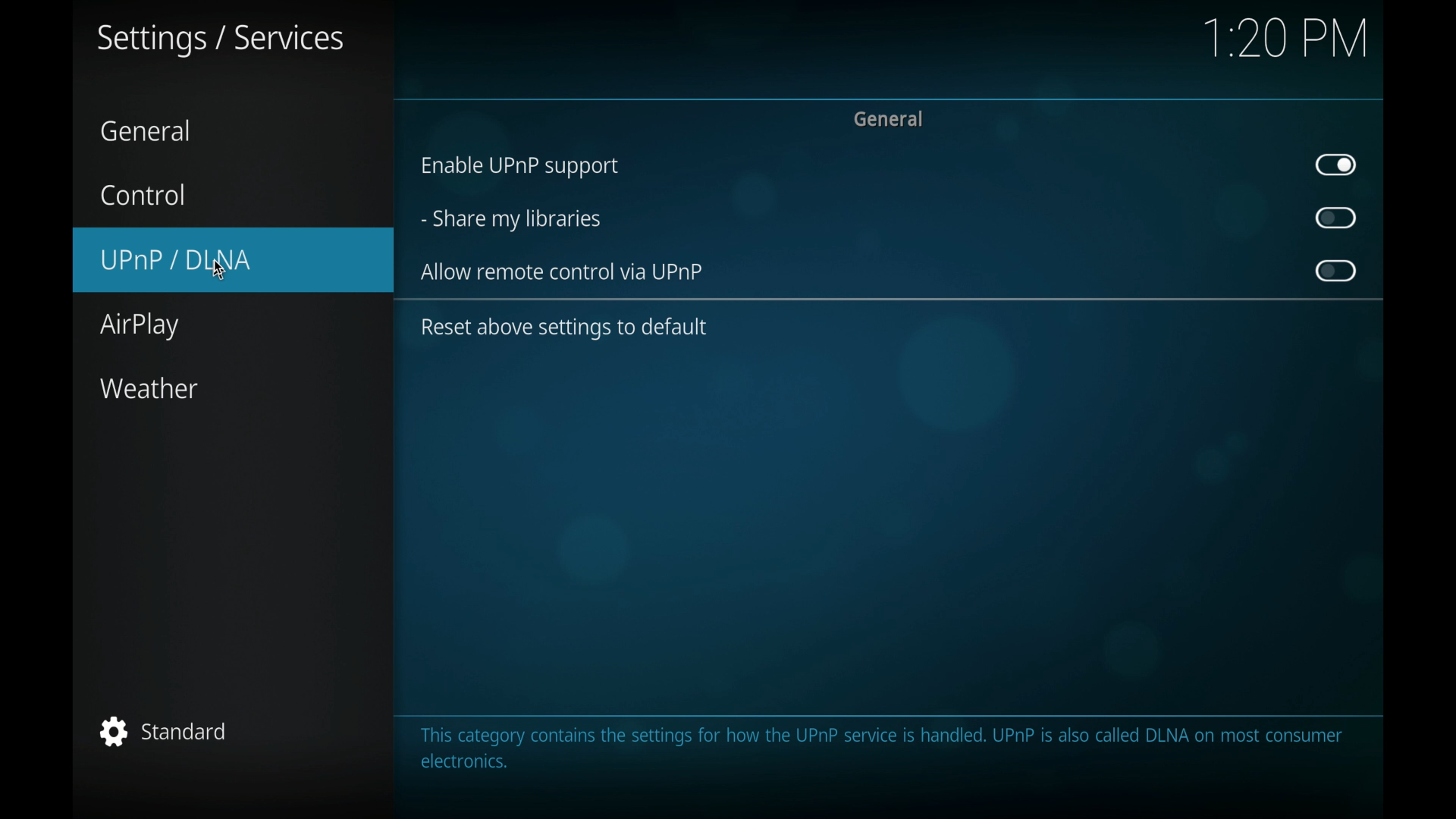 The width and height of the screenshot is (1456, 819). Describe the element at coordinates (881, 749) in the screenshot. I see `info` at that location.